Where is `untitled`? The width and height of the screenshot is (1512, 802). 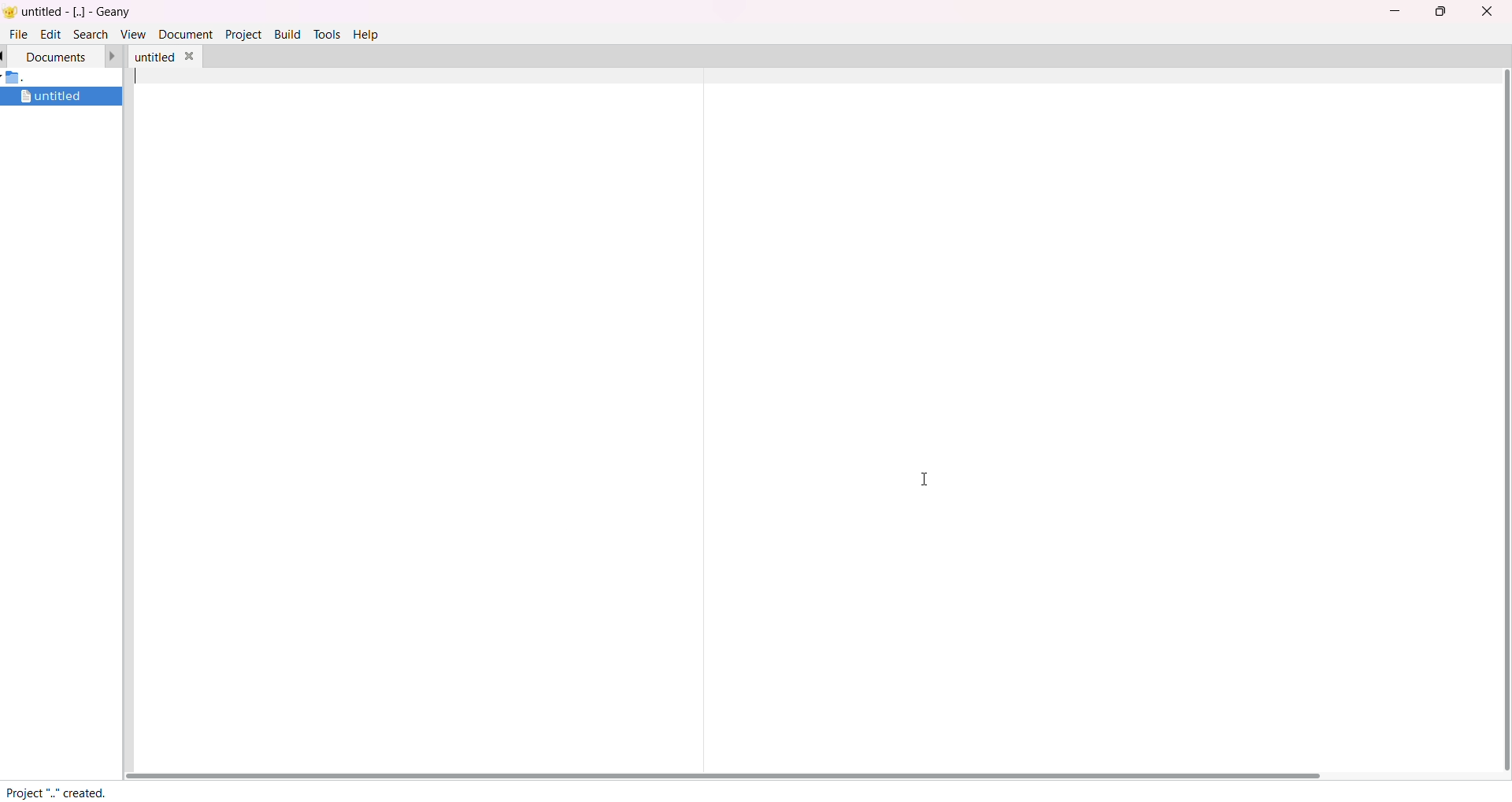
untitled is located at coordinates (63, 100).